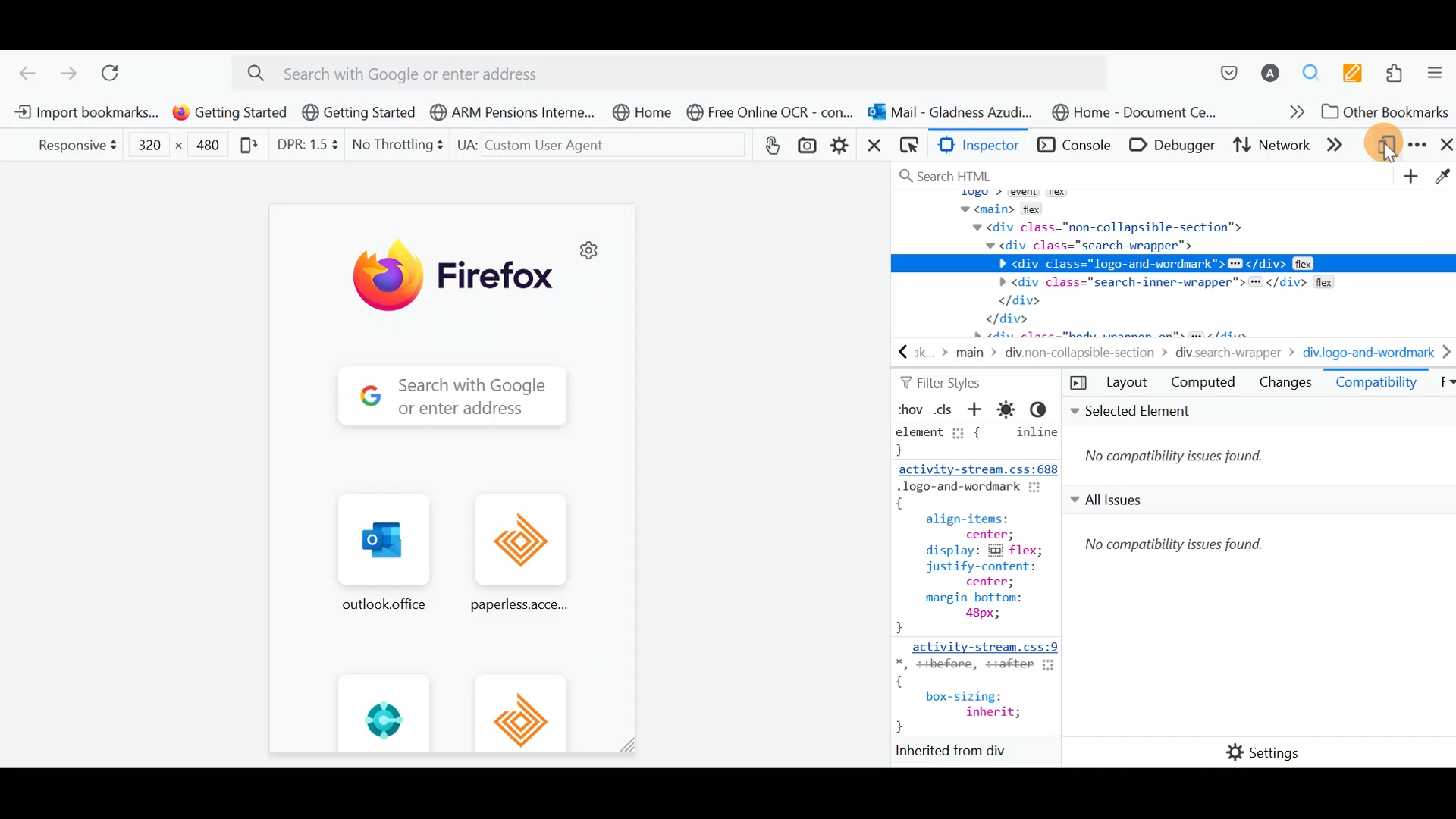  Describe the element at coordinates (1252, 753) in the screenshot. I see `Settings` at that location.